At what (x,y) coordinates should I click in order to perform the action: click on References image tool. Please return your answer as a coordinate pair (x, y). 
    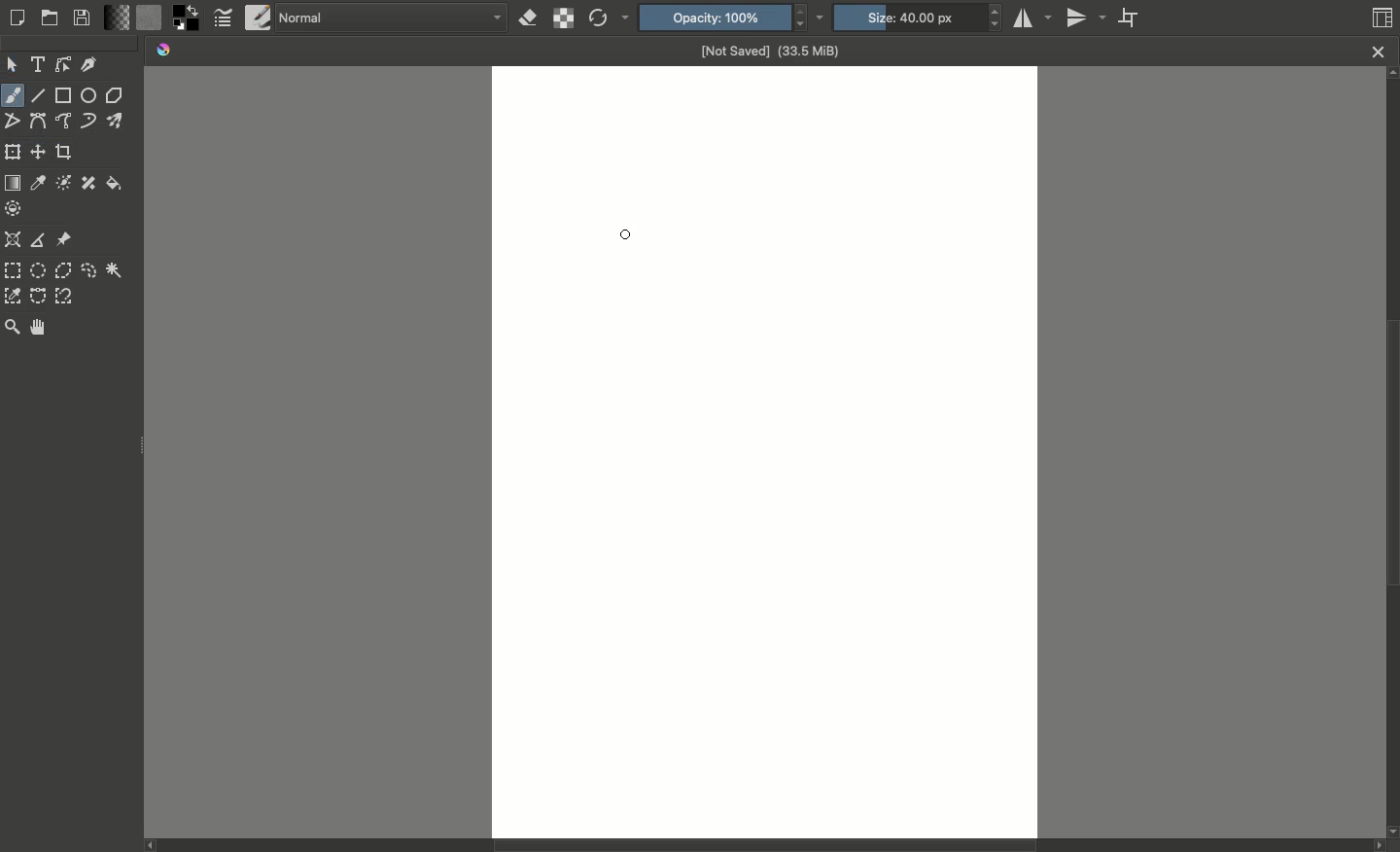
    Looking at the image, I should click on (65, 239).